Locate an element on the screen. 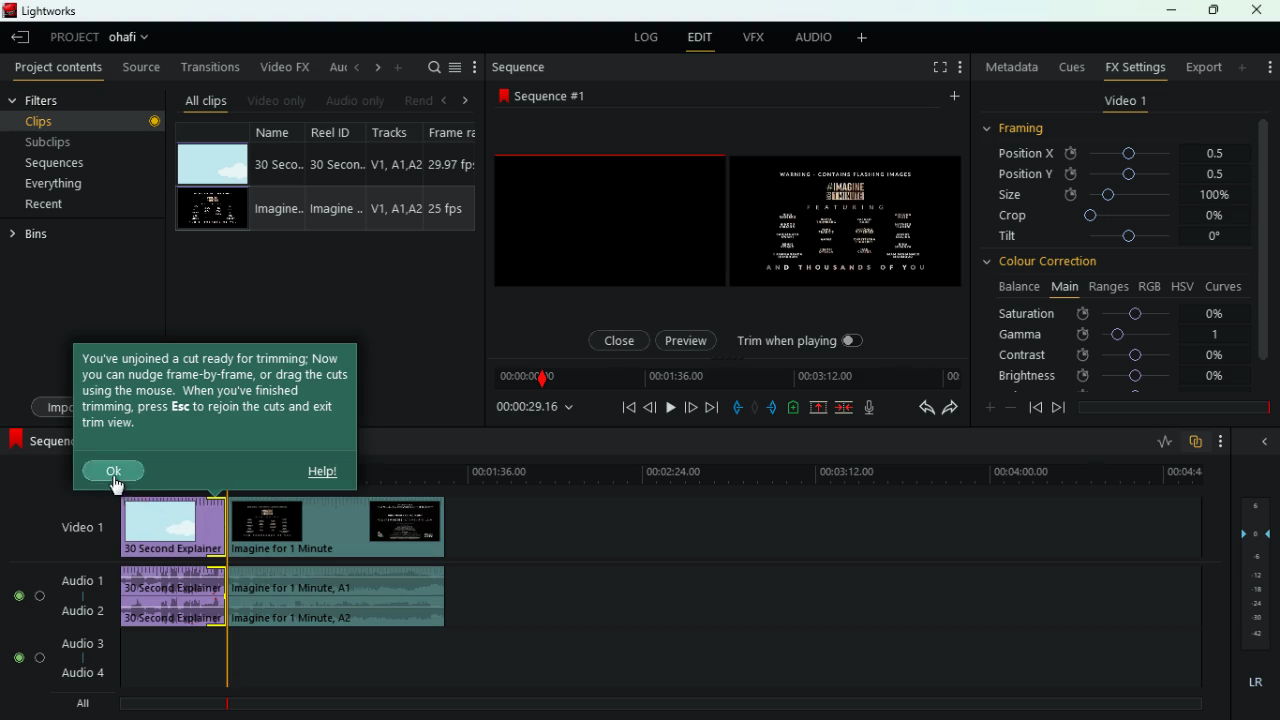 The image size is (1280, 720). frames is located at coordinates (1253, 574).